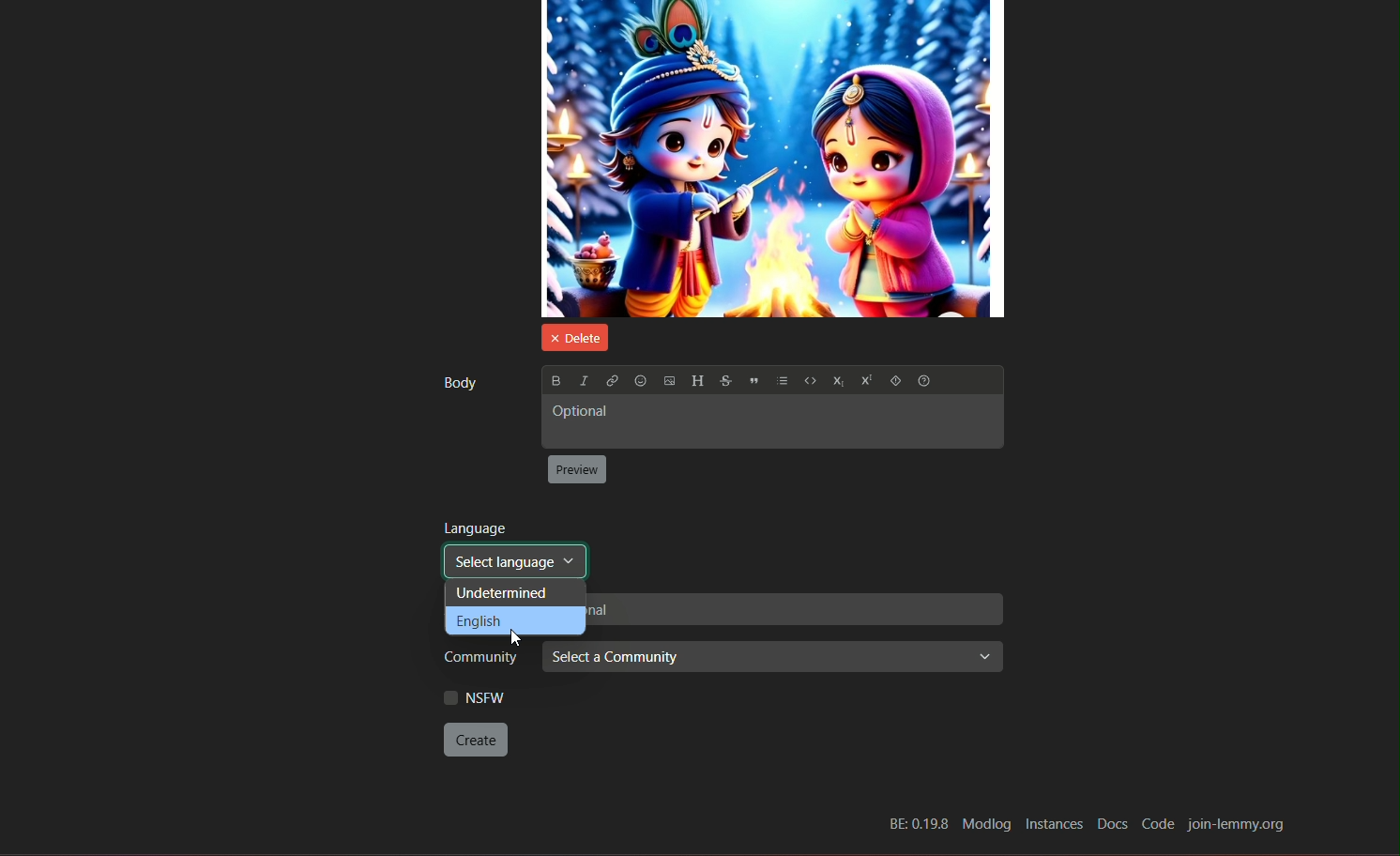  Describe the element at coordinates (773, 159) in the screenshot. I see `image` at that location.